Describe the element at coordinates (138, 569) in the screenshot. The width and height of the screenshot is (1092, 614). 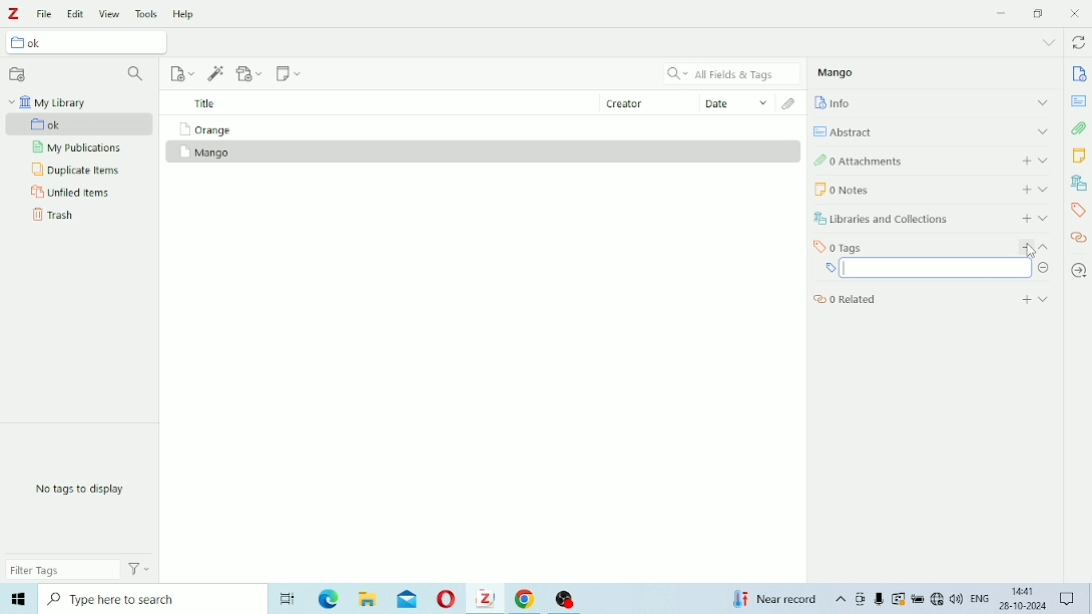
I see `Actions` at that location.